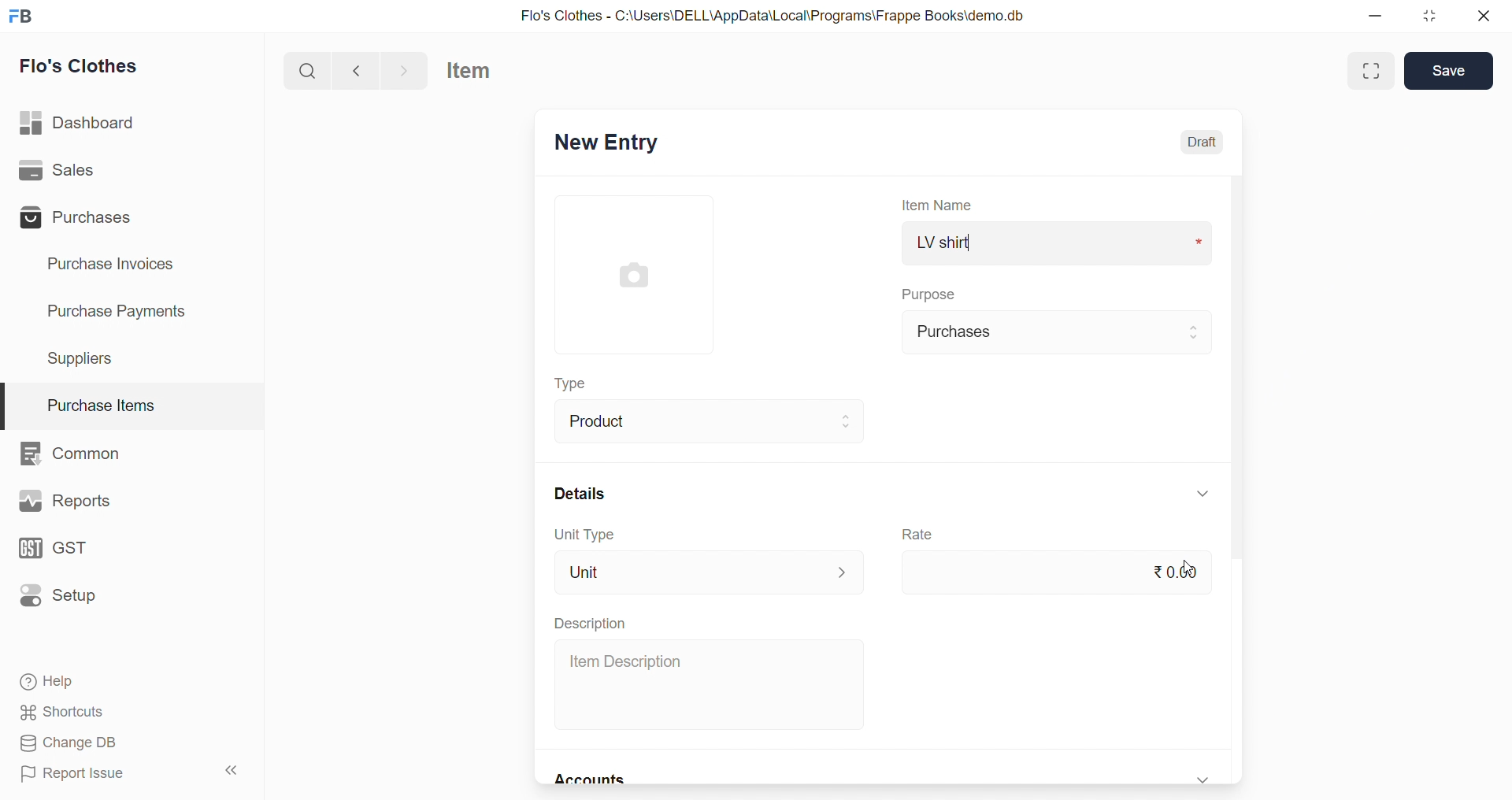 This screenshot has height=800, width=1512. I want to click on Purpose, so click(932, 292).